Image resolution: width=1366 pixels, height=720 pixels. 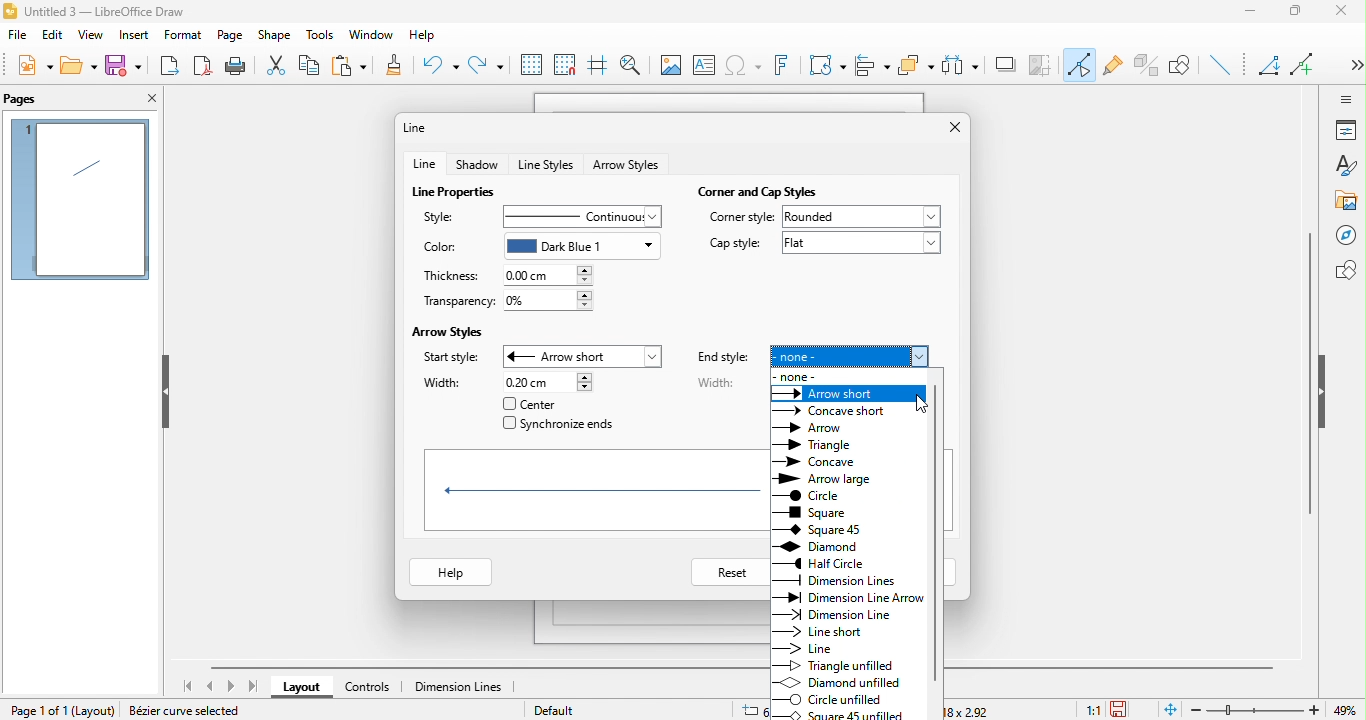 What do you see at coordinates (864, 217) in the screenshot?
I see `rounded` at bounding box center [864, 217].